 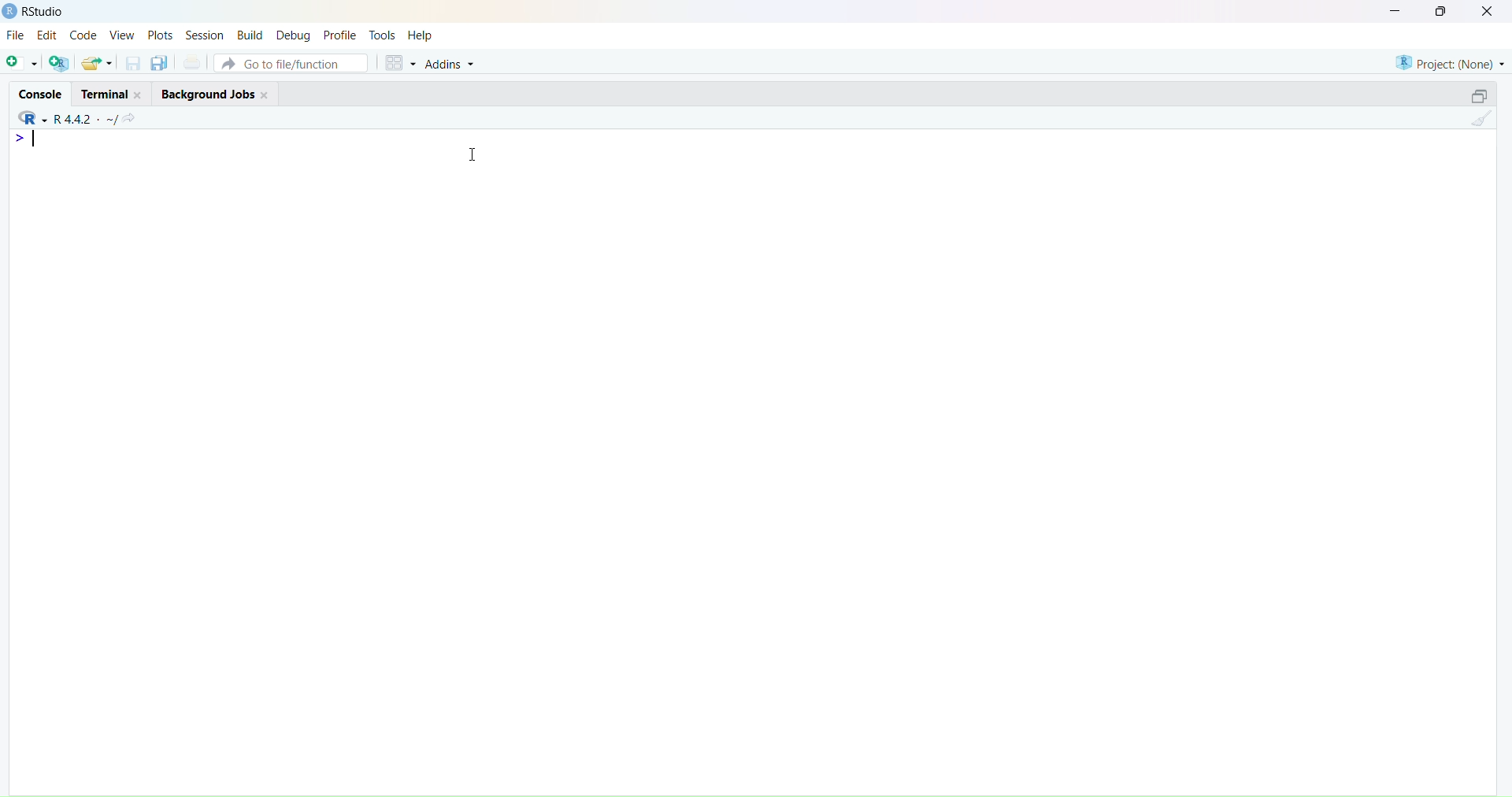 What do you see at coordinates (159, 63) in the screenshot?
I see `copy` at bounding box center [159, 63].